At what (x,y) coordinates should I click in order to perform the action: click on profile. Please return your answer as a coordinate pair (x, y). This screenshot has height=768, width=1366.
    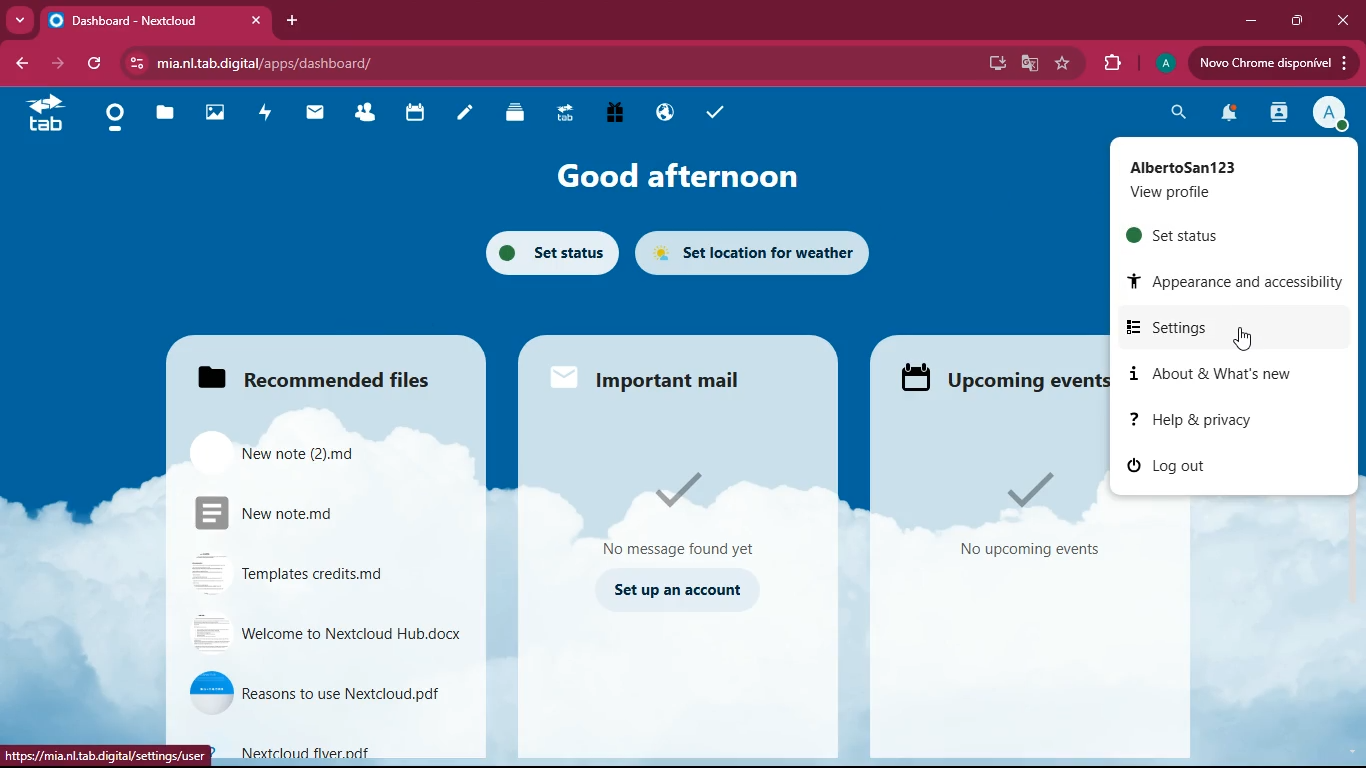
    Looking at the image, I should click on (1328, 114).